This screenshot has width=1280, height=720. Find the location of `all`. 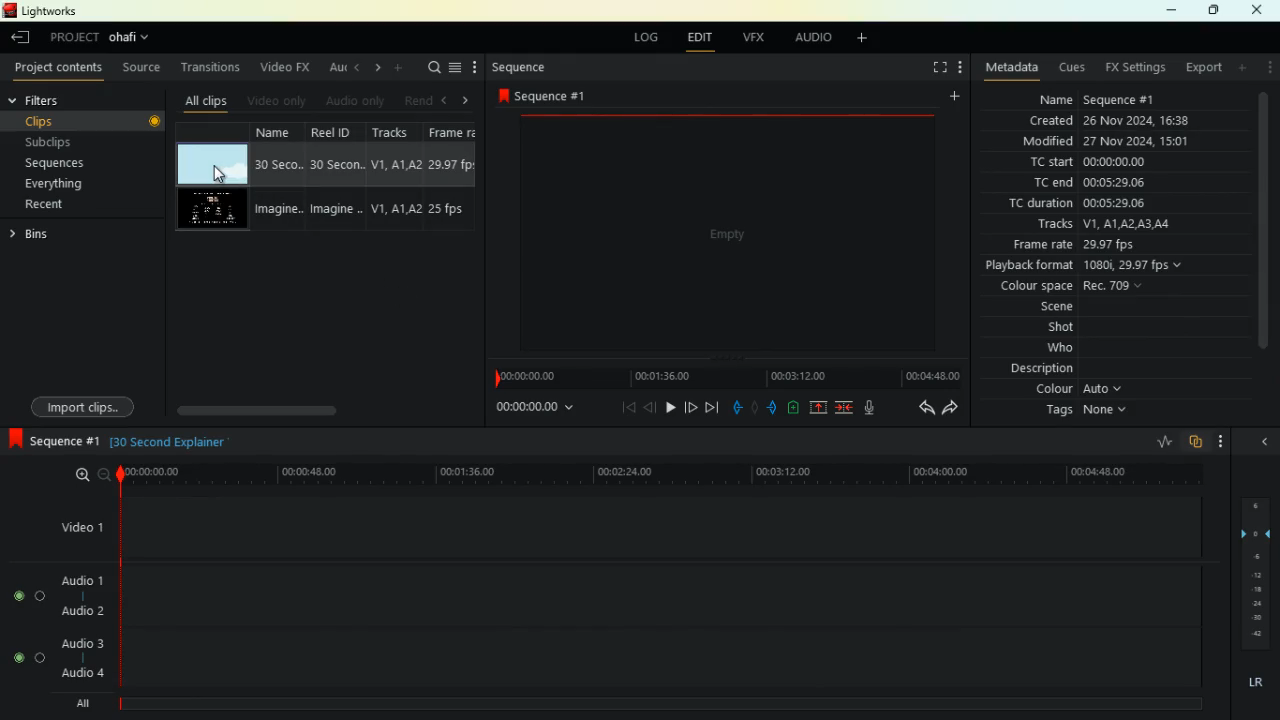

all is located at coordinates (80, 705).